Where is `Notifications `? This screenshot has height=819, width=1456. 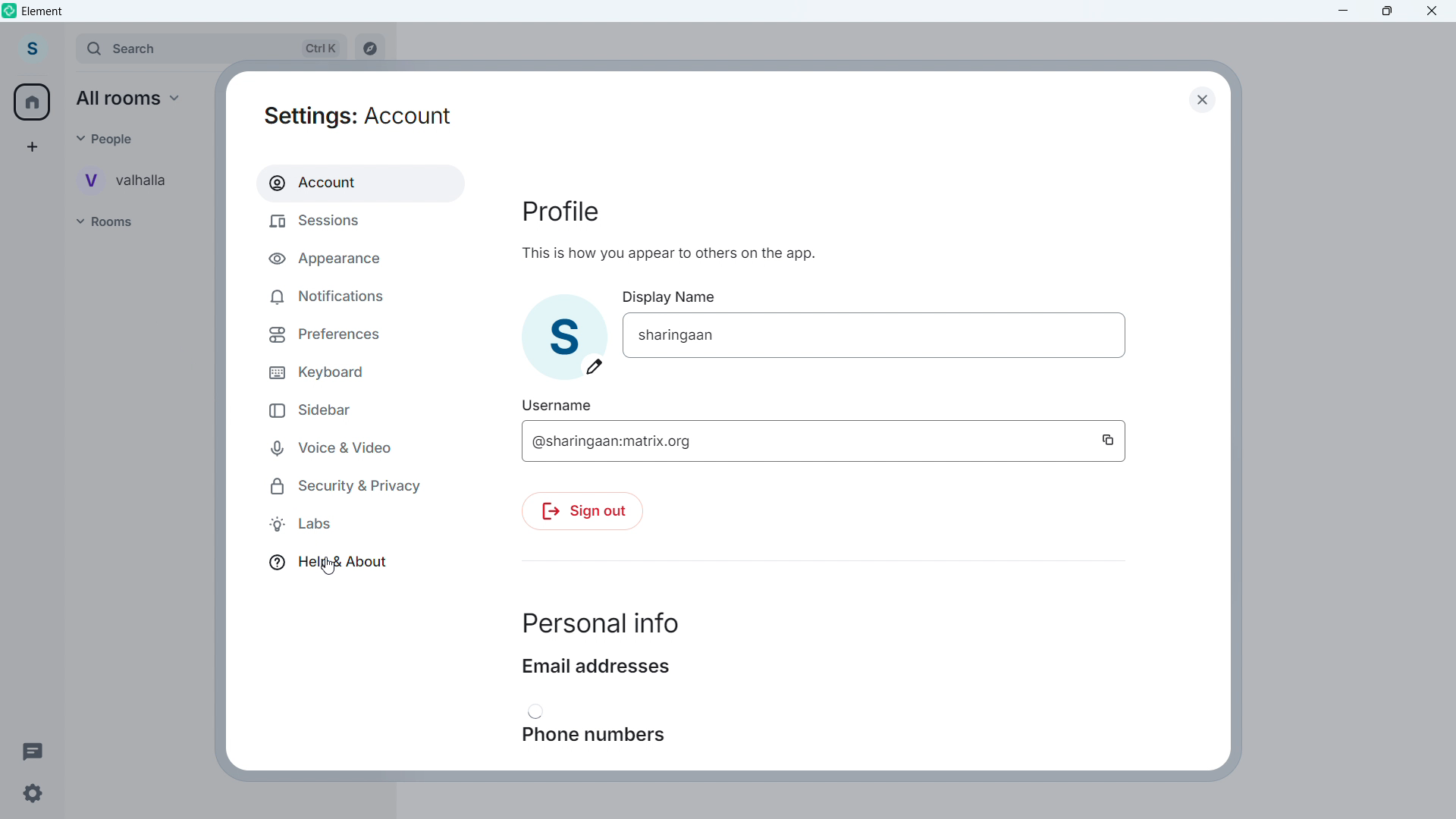
Notifications  is located at coordinates (338, 296).